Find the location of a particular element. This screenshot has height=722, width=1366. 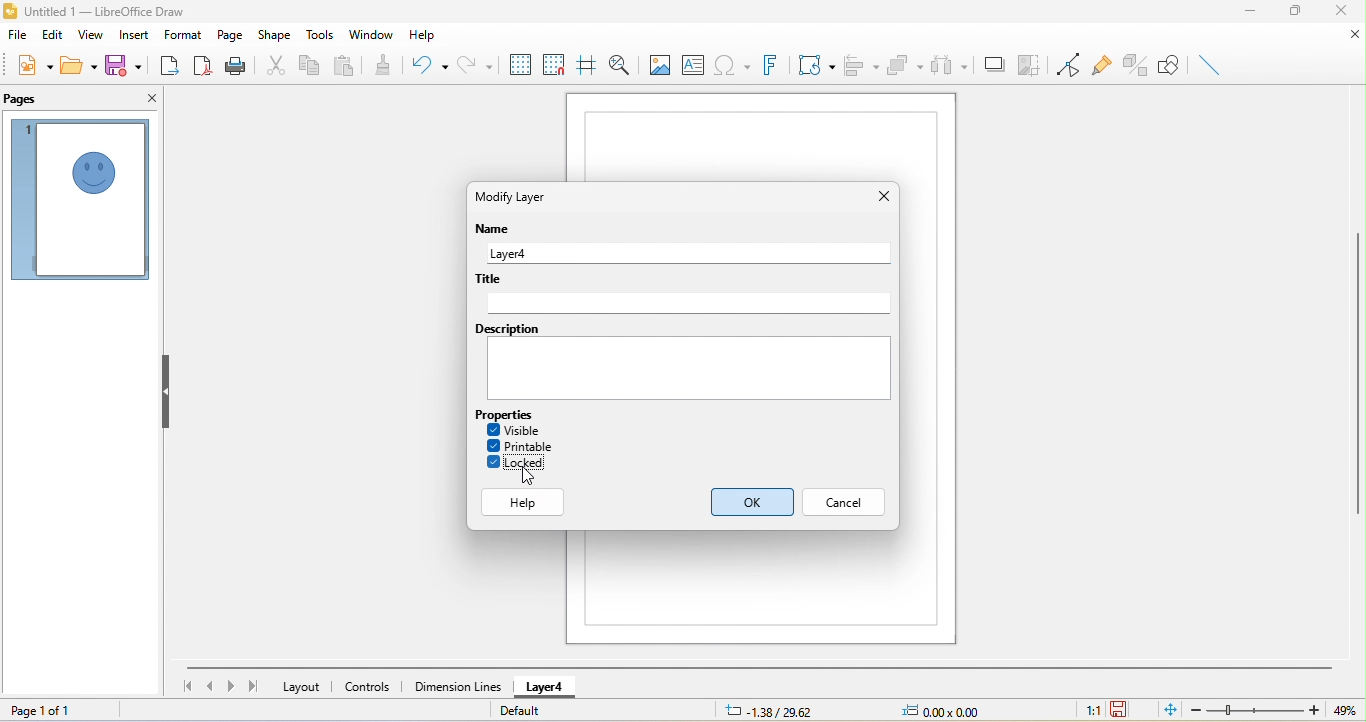

font work text is located at coordinates (772, 63).